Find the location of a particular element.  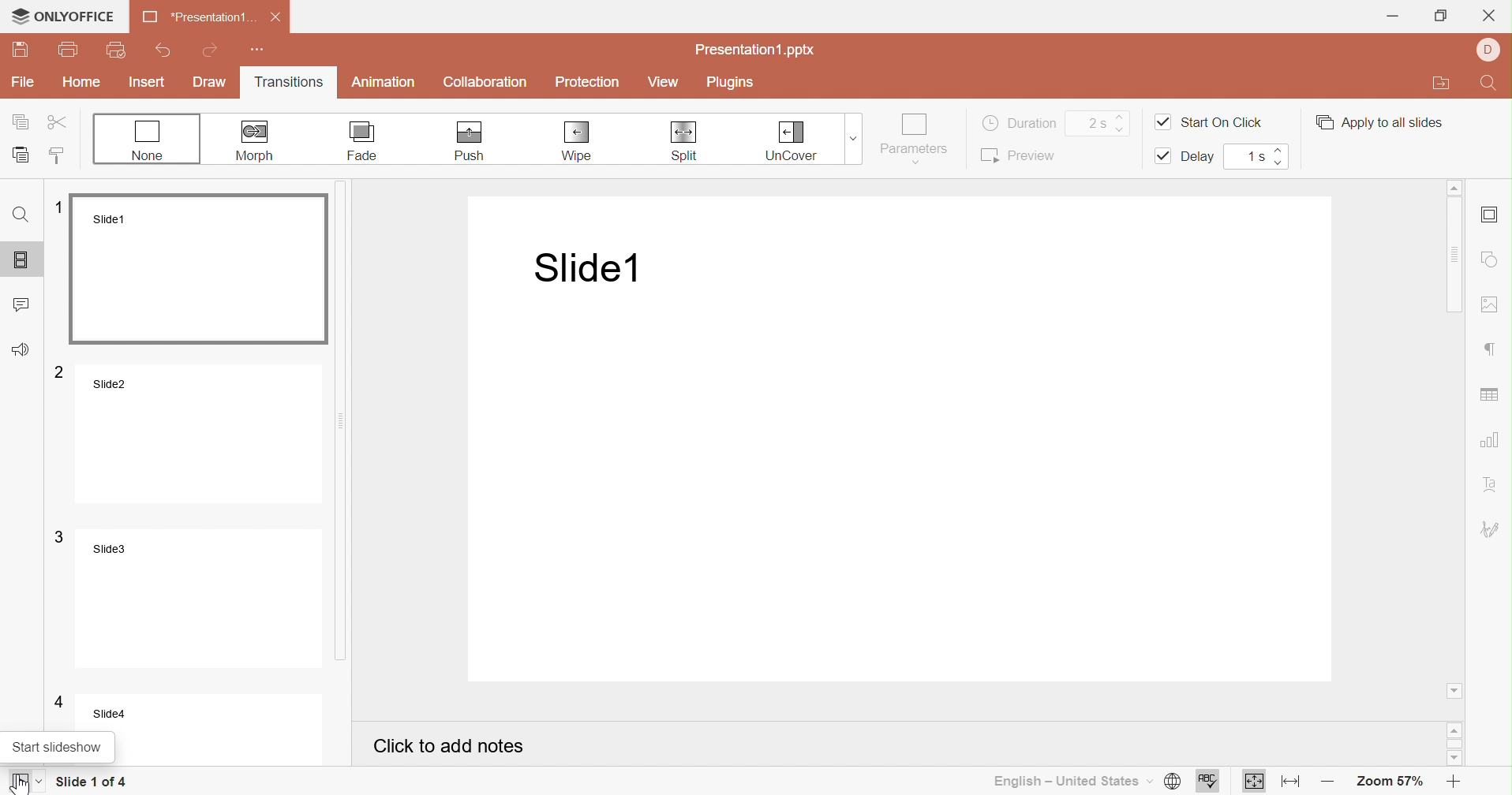

Open file location is located at coordinates (1443, 84).